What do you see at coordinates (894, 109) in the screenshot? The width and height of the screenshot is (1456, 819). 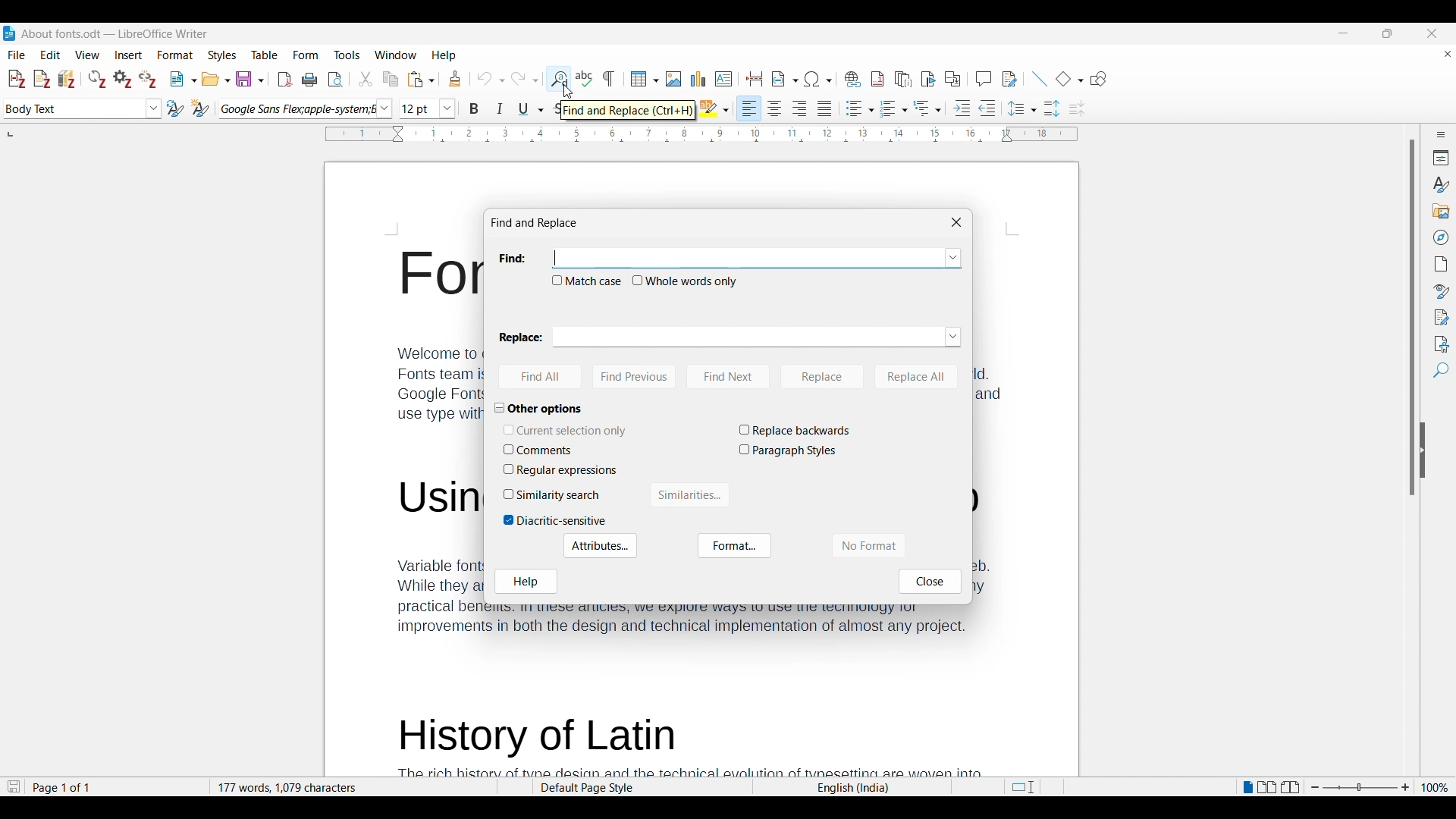 I see `Toggle ordered list options` at bounding box center [894, 109].